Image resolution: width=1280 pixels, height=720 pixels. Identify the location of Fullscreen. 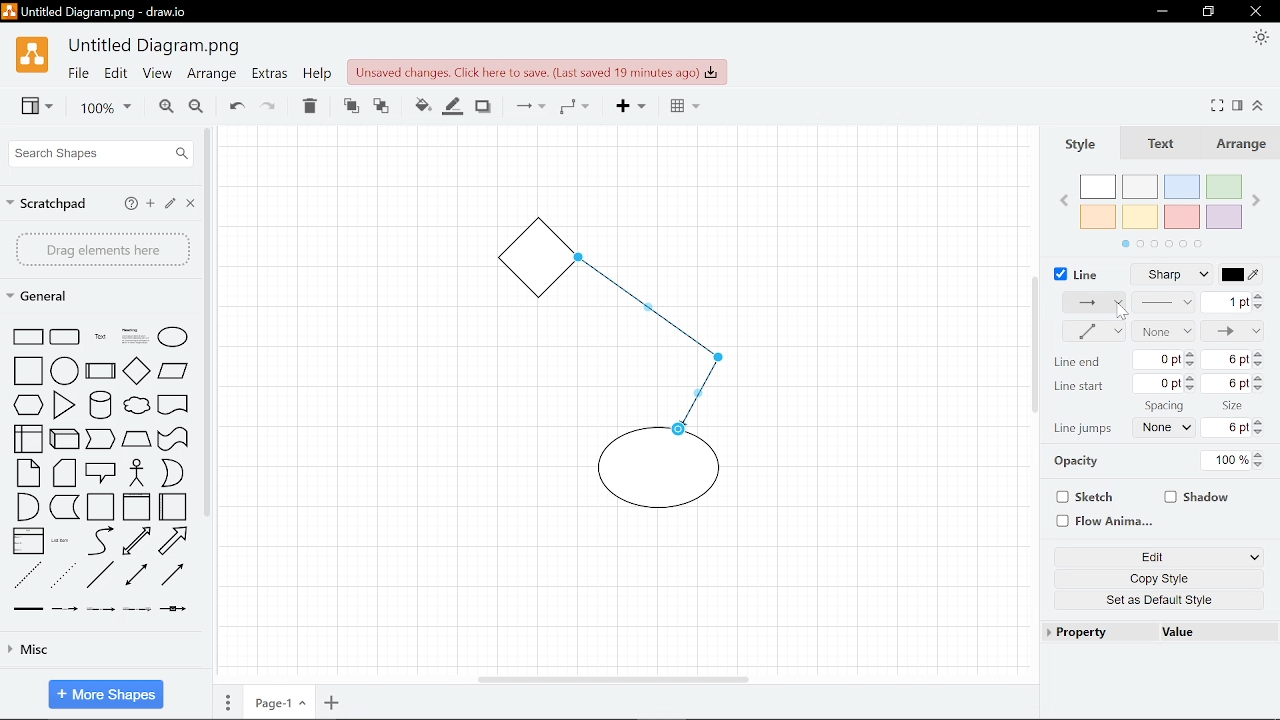
(1219, 105).